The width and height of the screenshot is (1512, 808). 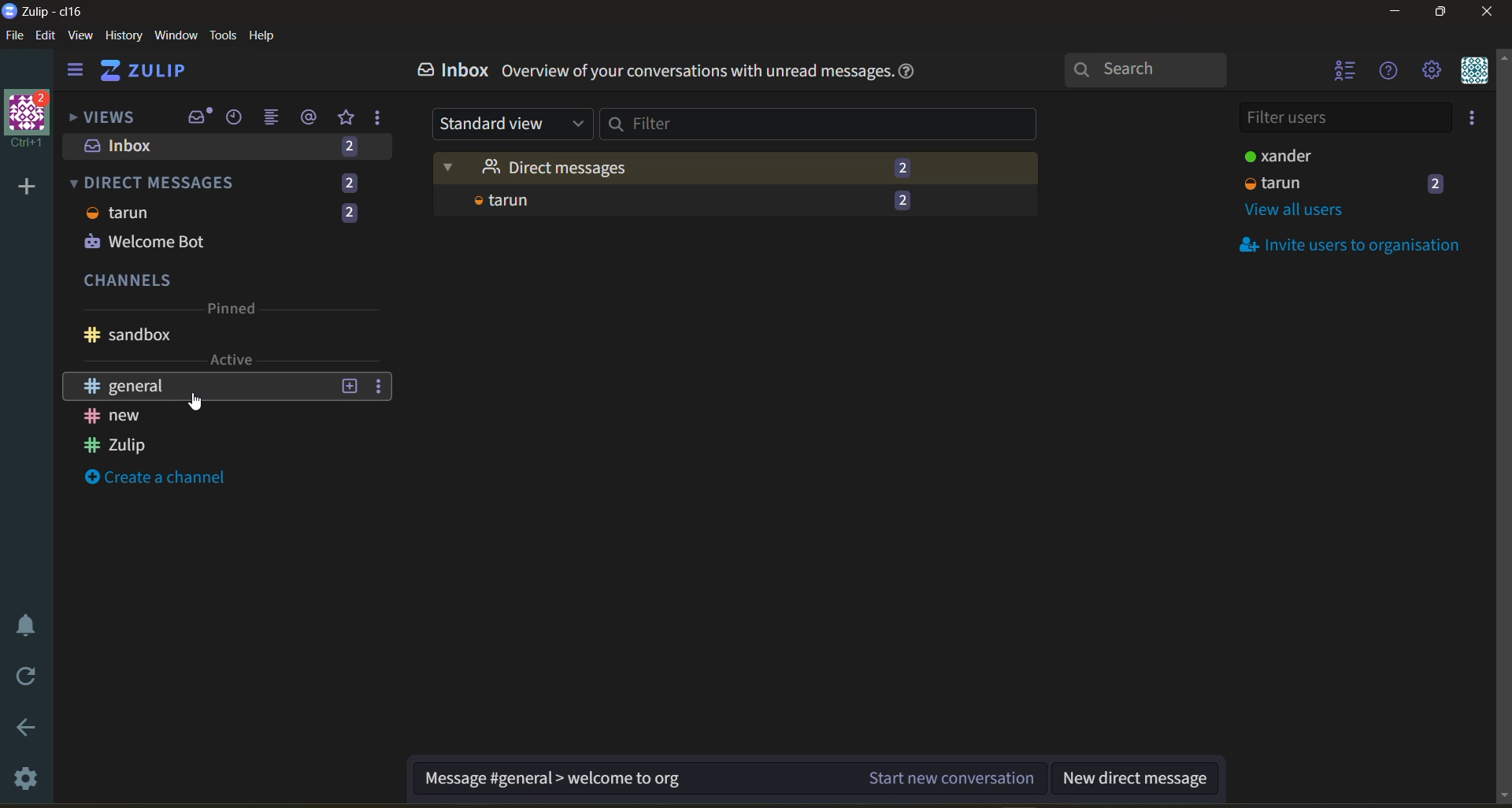 What do you see at coordinates (710, 203) in the screenshot?
I see `` at bounding box center [710, 203].